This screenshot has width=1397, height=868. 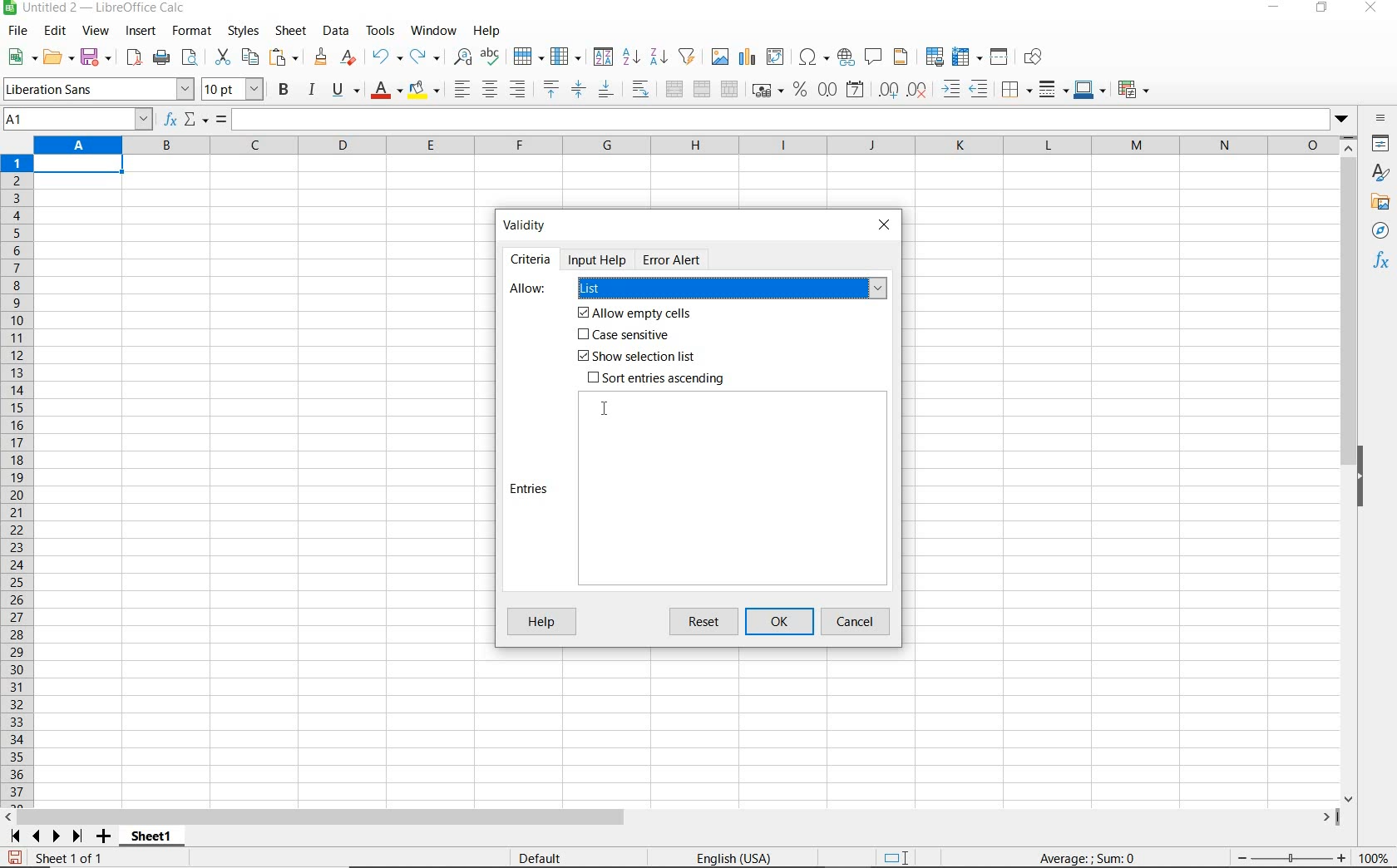 I want to click on reset, so click(x=707, y=622).